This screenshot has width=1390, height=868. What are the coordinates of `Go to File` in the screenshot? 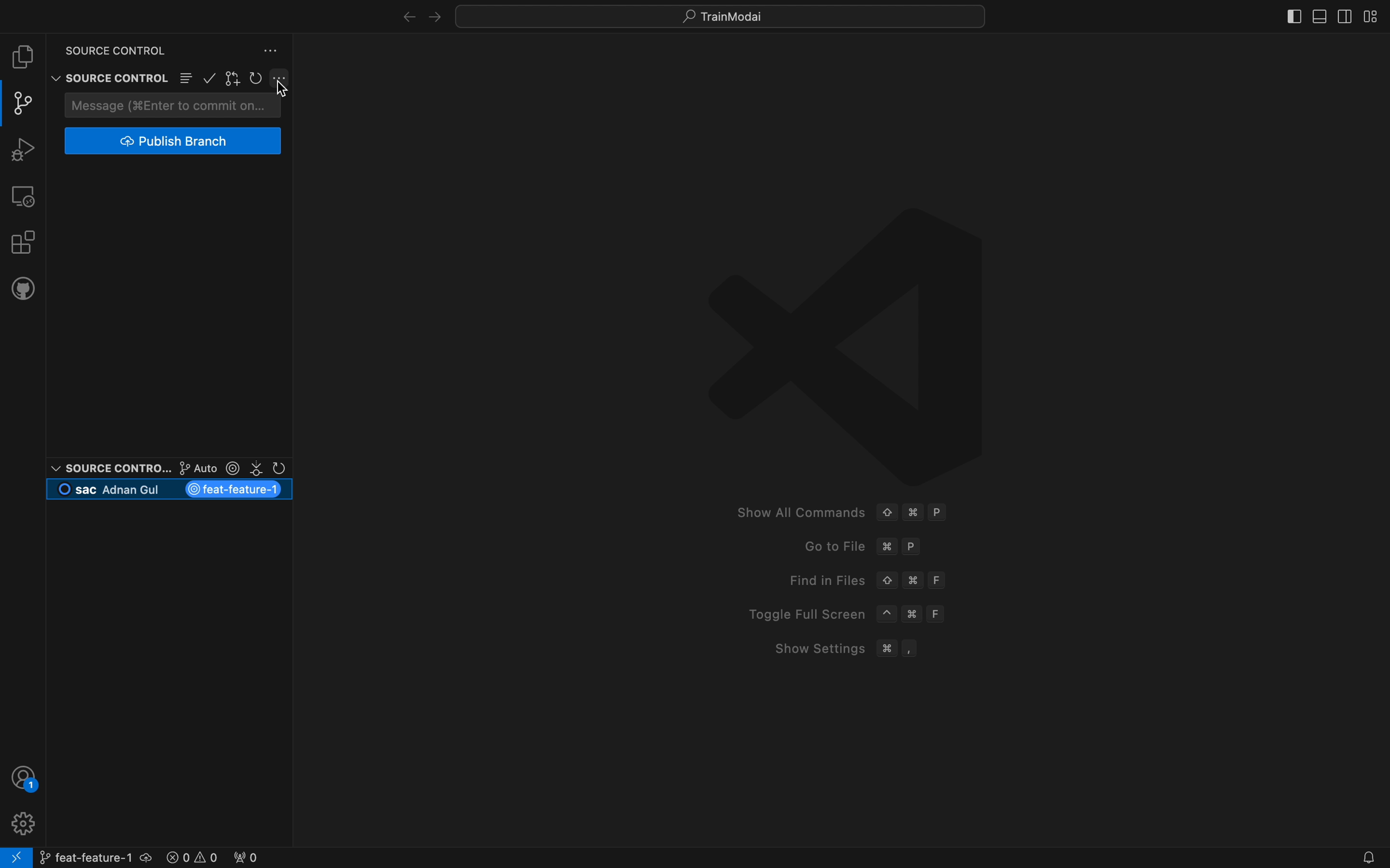 It's located at (823, 547).